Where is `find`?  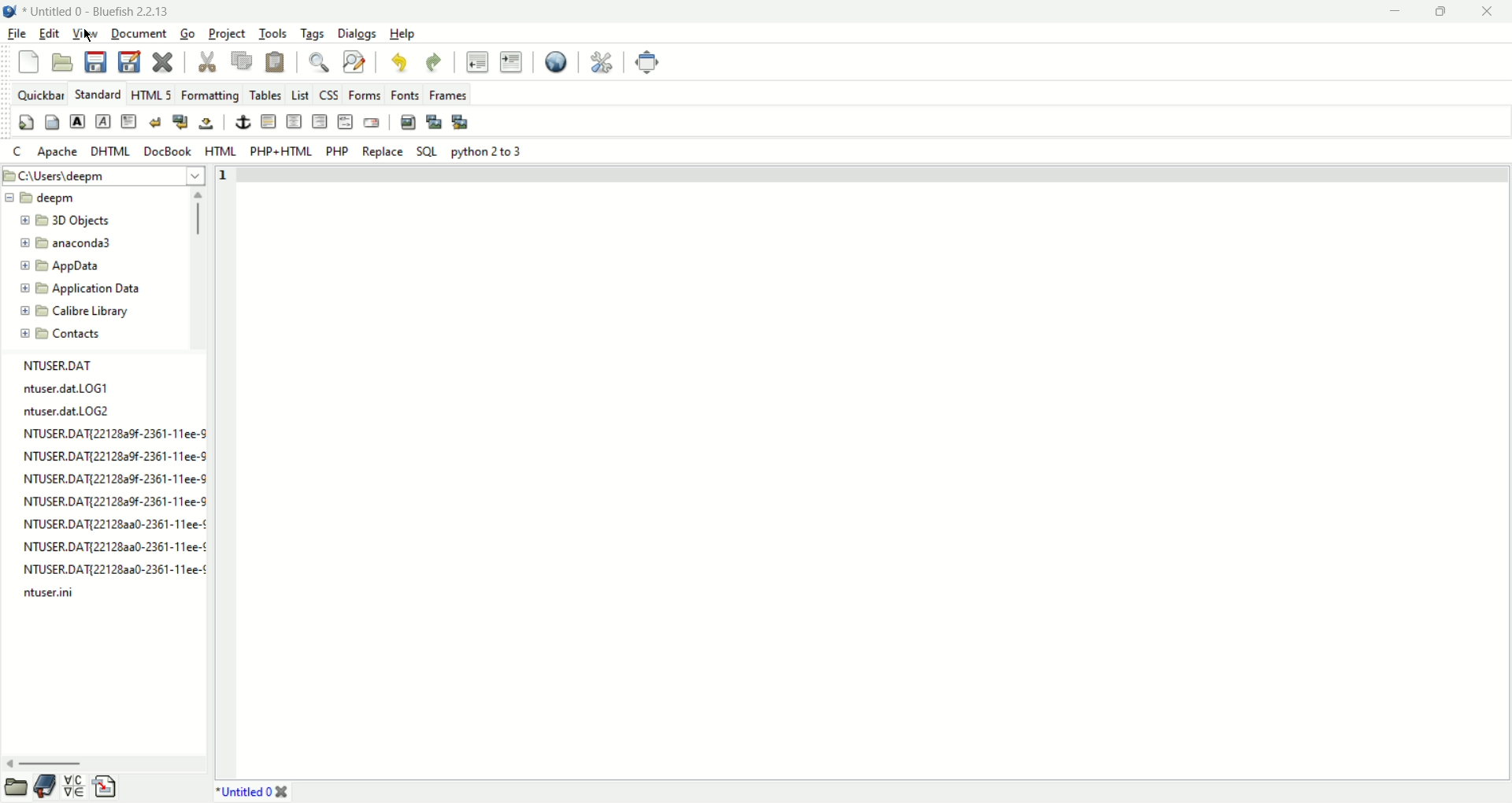 find is located at coordinates (318, 61).